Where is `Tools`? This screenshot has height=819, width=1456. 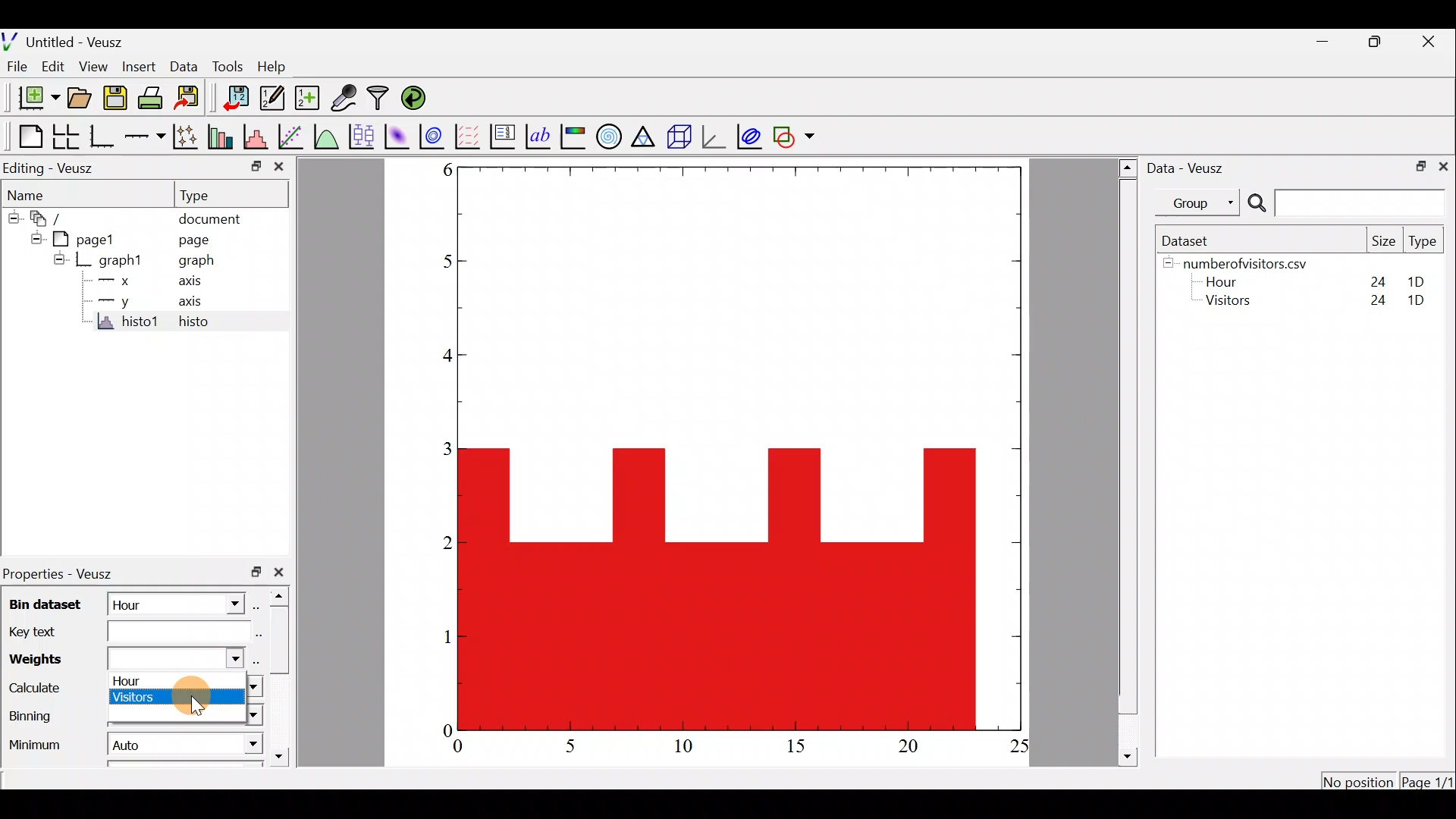
Tools is located at coordinates (231, 67).